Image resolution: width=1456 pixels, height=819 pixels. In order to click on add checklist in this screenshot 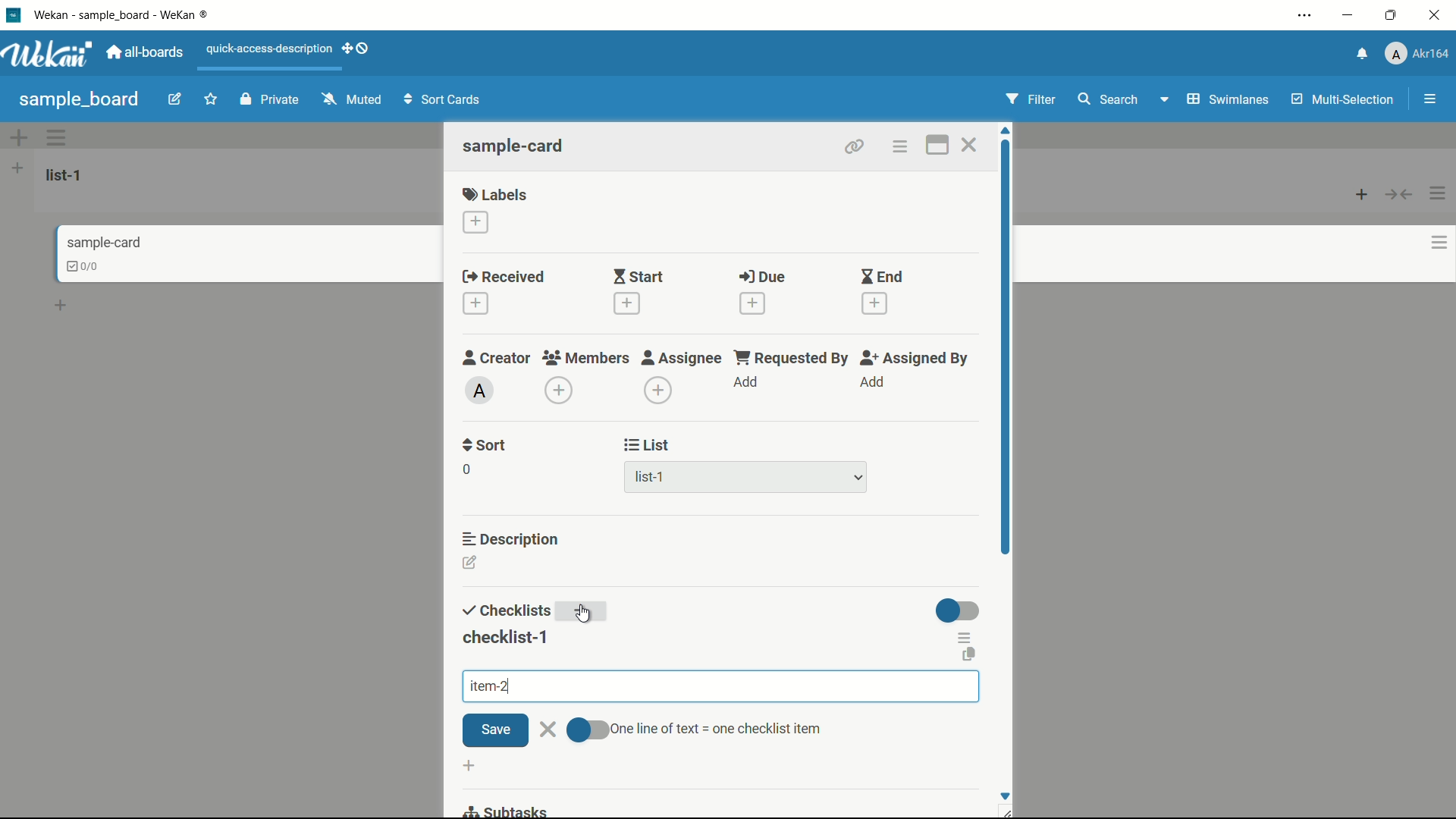, I will do `click(472, 767)`.